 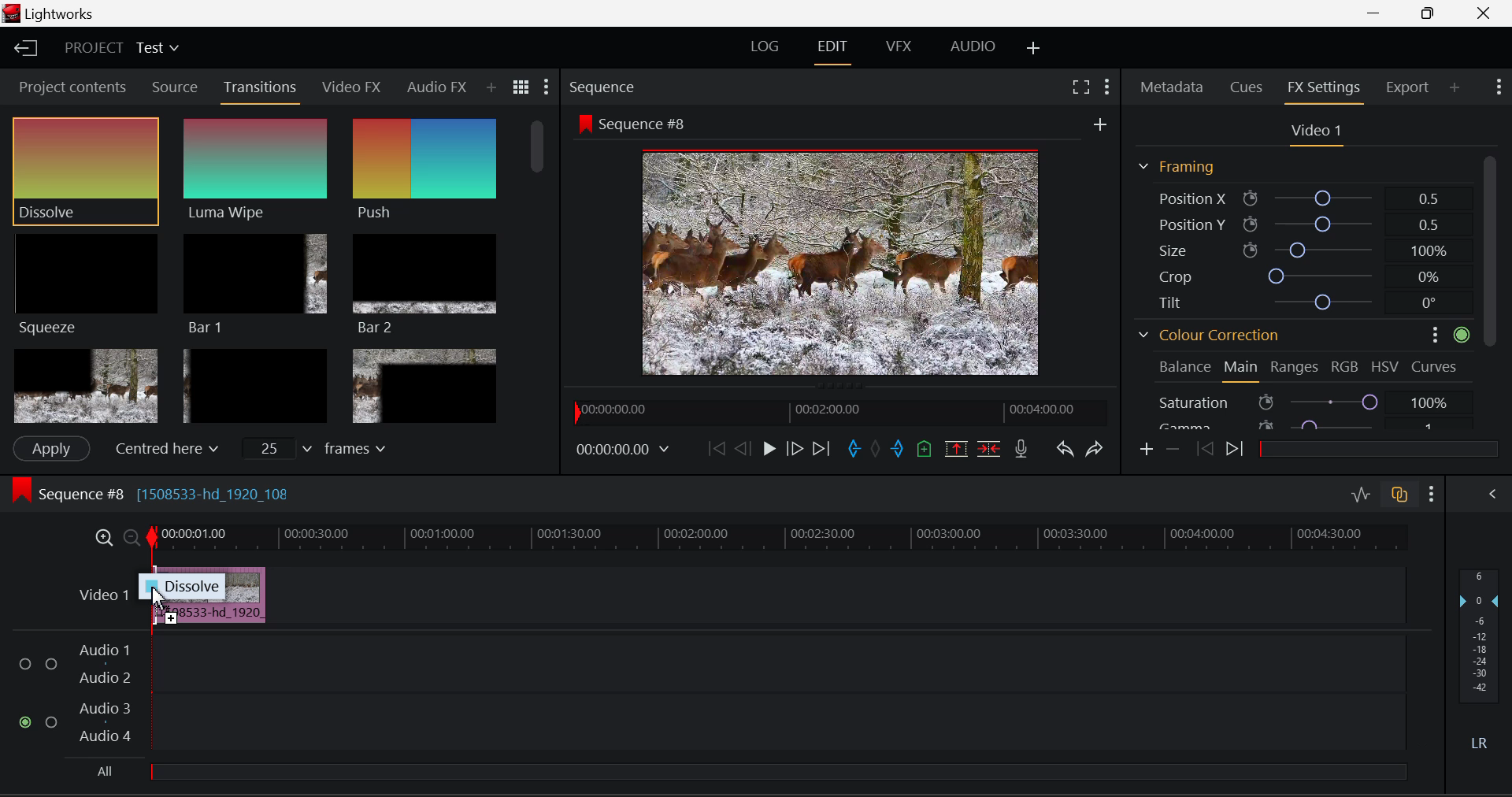 What do you see at coordinates (132, 539) in the screenshot?
I see `Timeline Zoom Out` at bounding box center [132, 539].